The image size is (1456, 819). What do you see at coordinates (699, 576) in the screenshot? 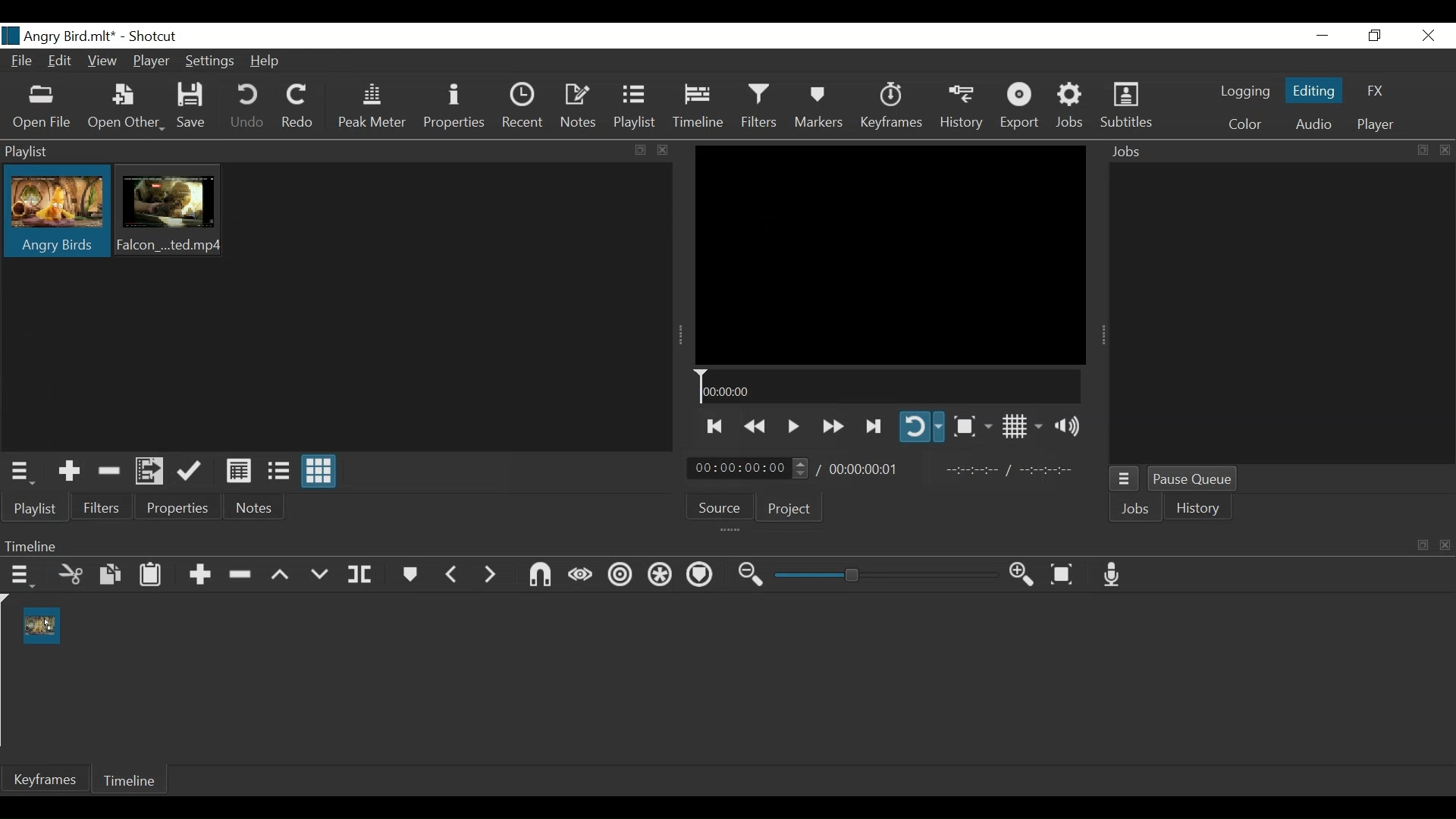
I see `Ripple markers` at bounding box center [699, 576].